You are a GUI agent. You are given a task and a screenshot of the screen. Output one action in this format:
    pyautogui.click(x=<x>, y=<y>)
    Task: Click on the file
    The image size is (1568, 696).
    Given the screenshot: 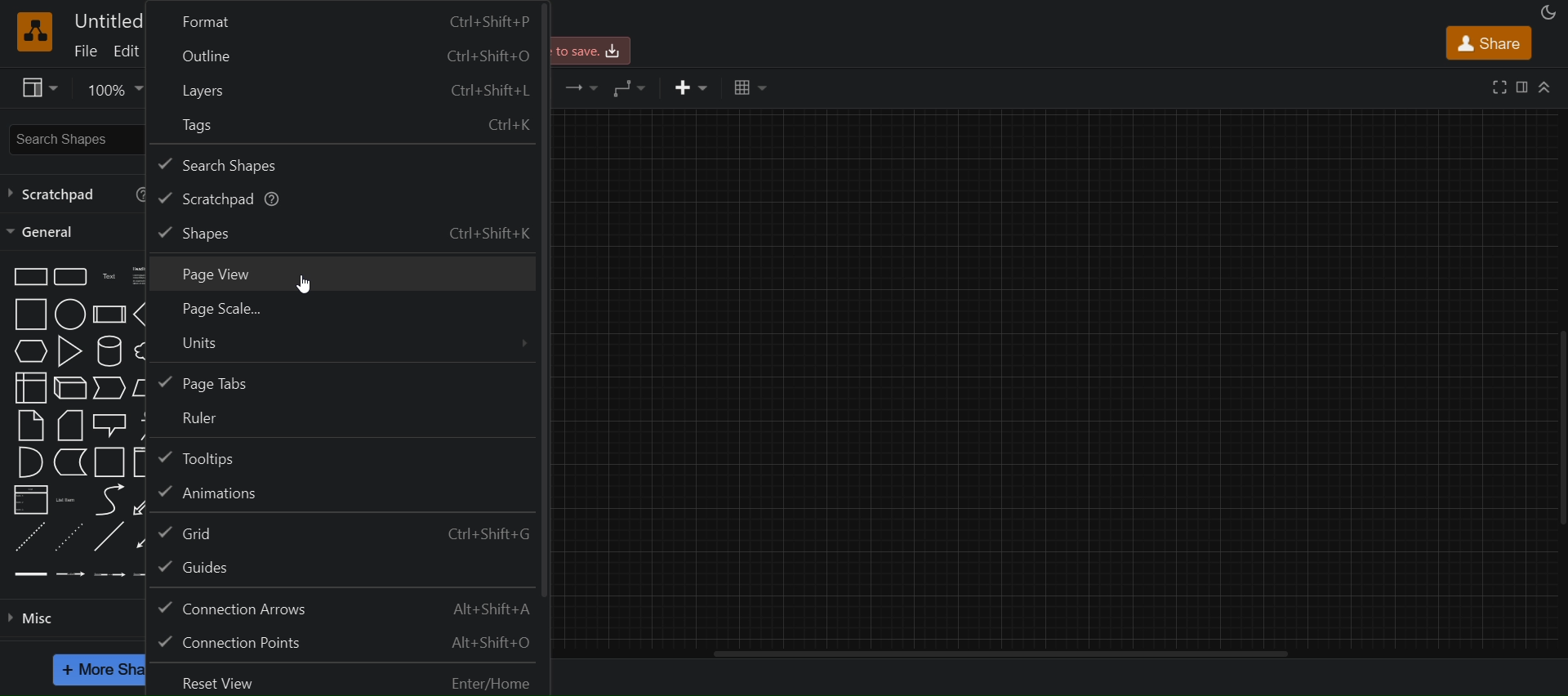 What is the action you would take?
    pyautogui.click(x=88, y=52)
    